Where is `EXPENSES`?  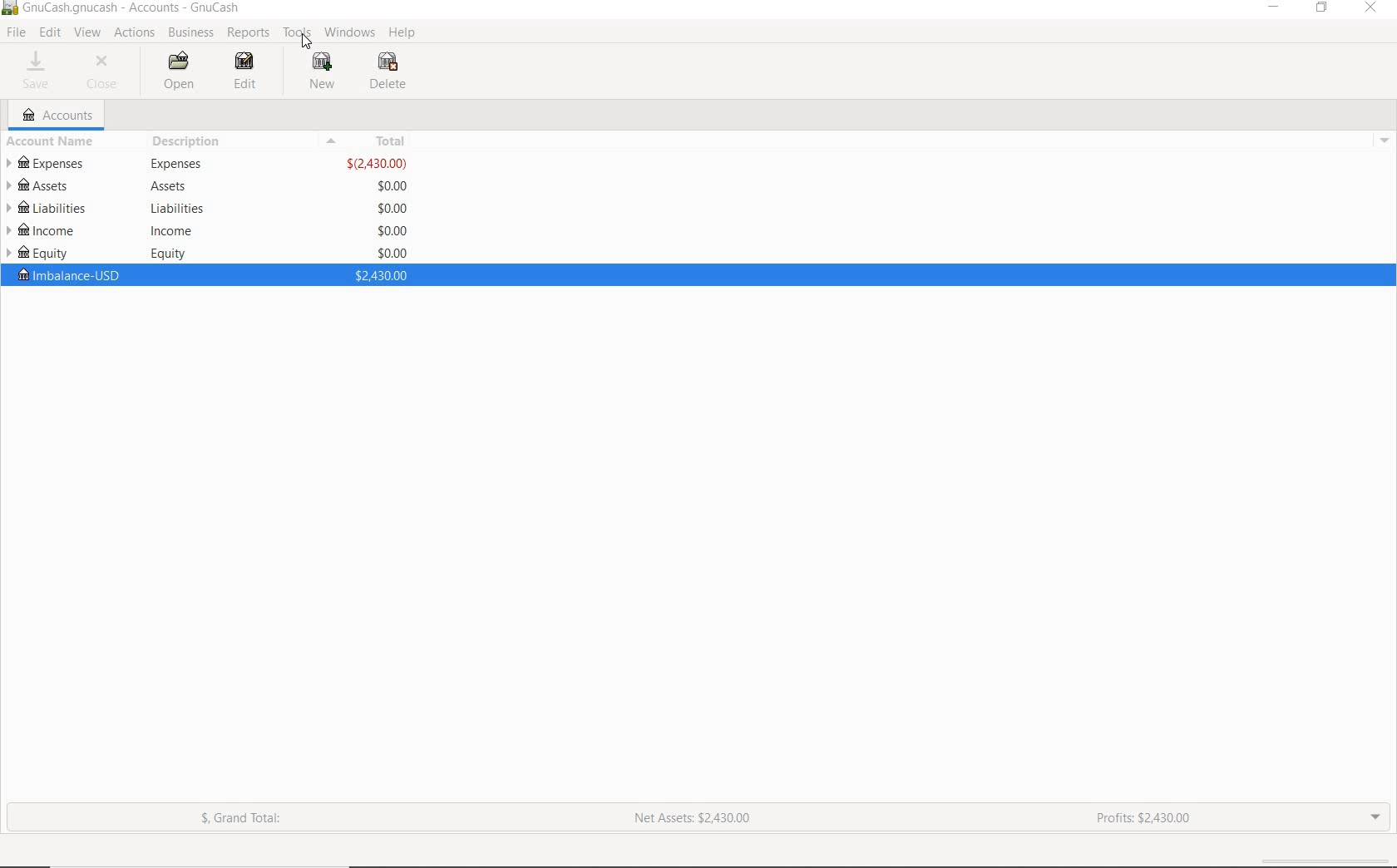 EXPENSES is located at coordinates (50, 164).